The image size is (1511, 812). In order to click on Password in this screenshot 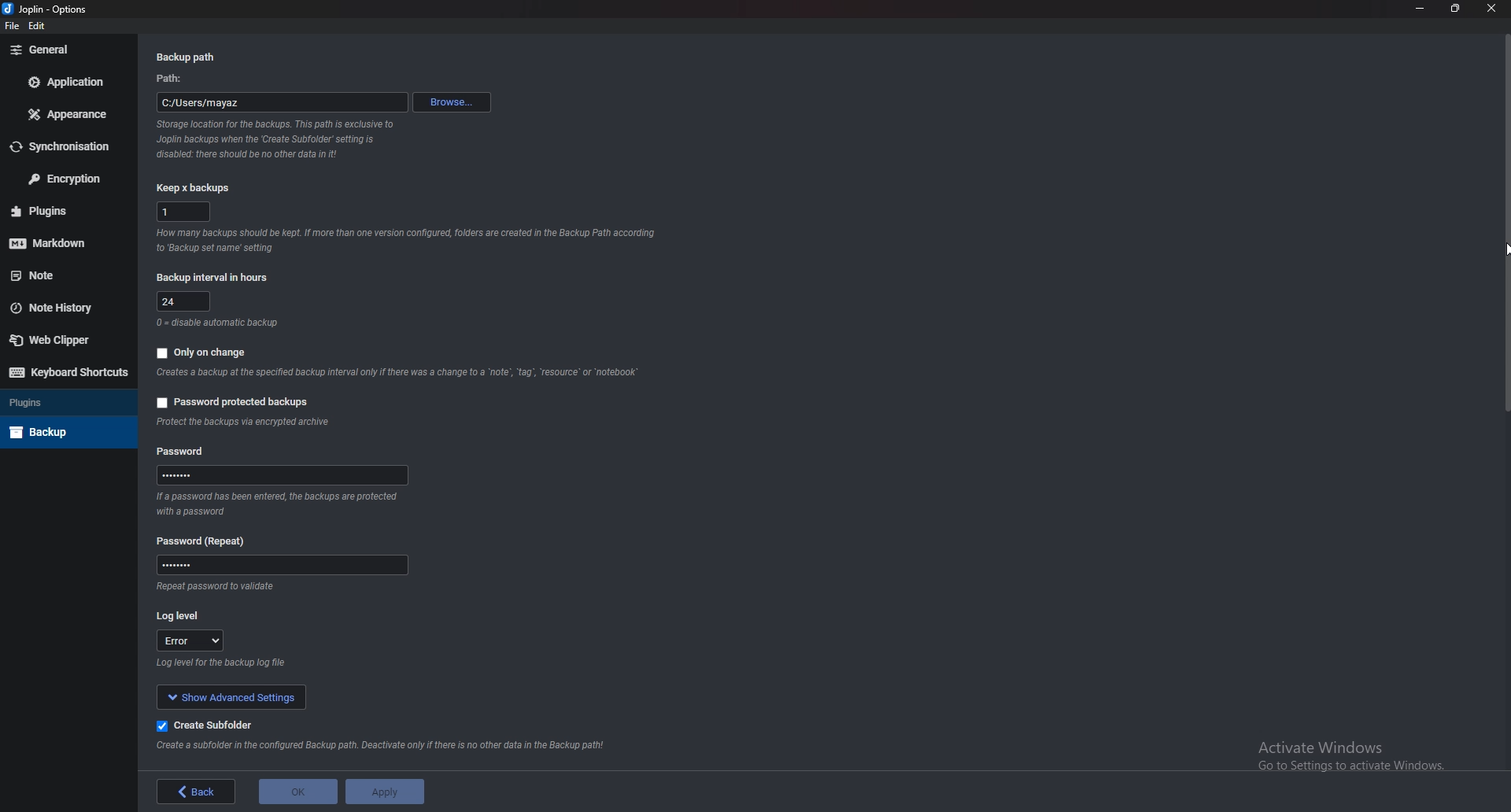, I will do `click(183, 452)`.